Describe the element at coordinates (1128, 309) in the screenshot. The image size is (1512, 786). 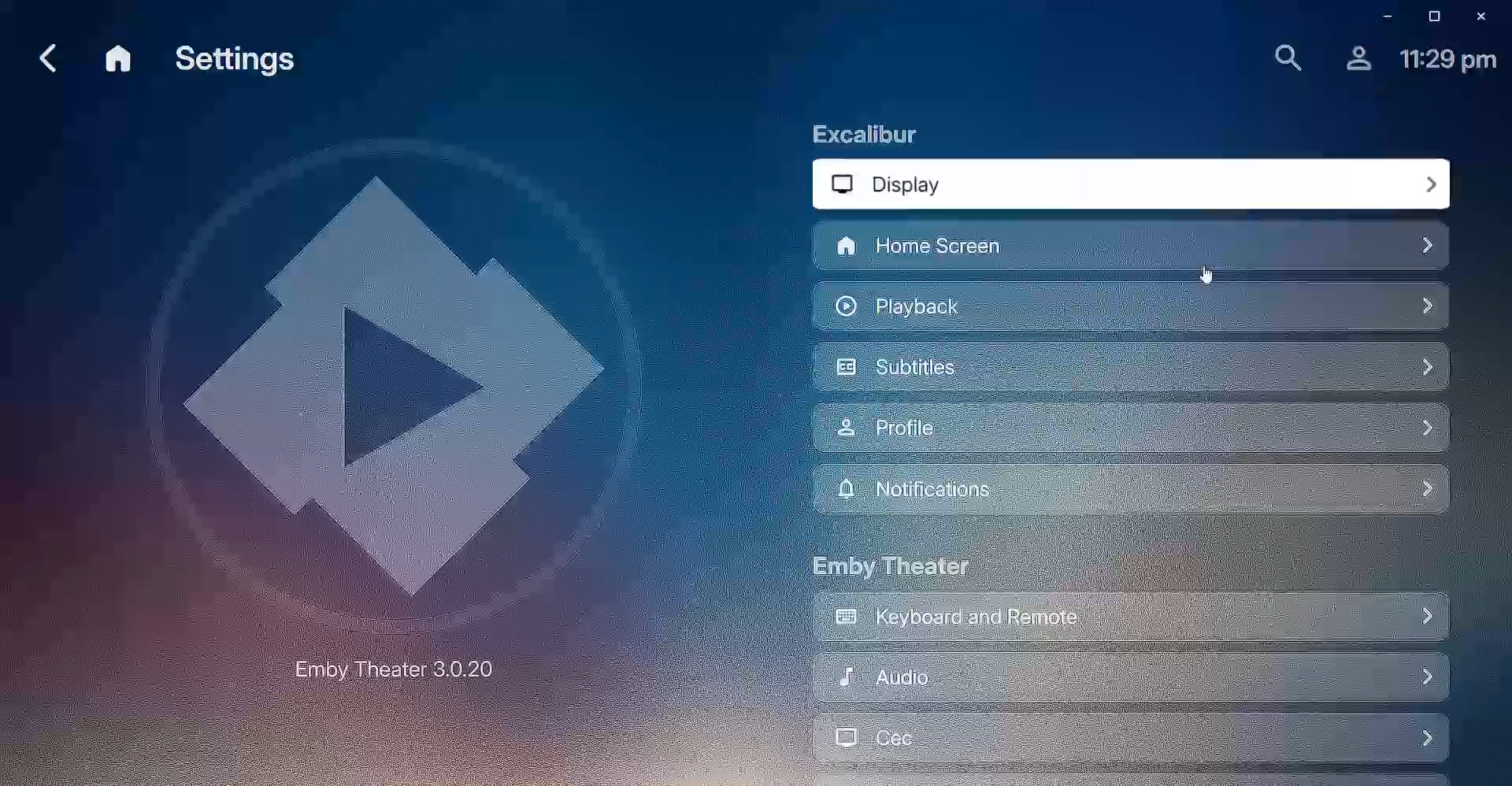
I see `Playback` at that location.